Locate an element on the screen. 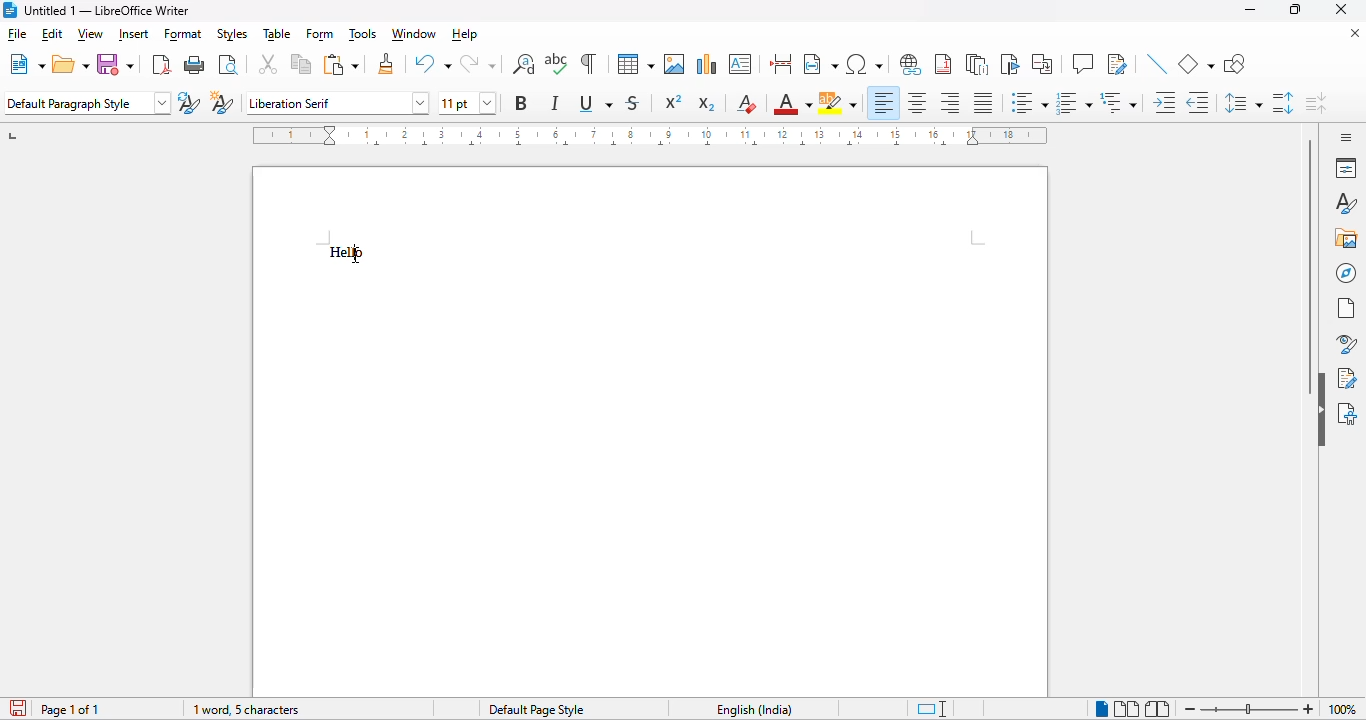  gallery is located at coordinates (1345, 238).